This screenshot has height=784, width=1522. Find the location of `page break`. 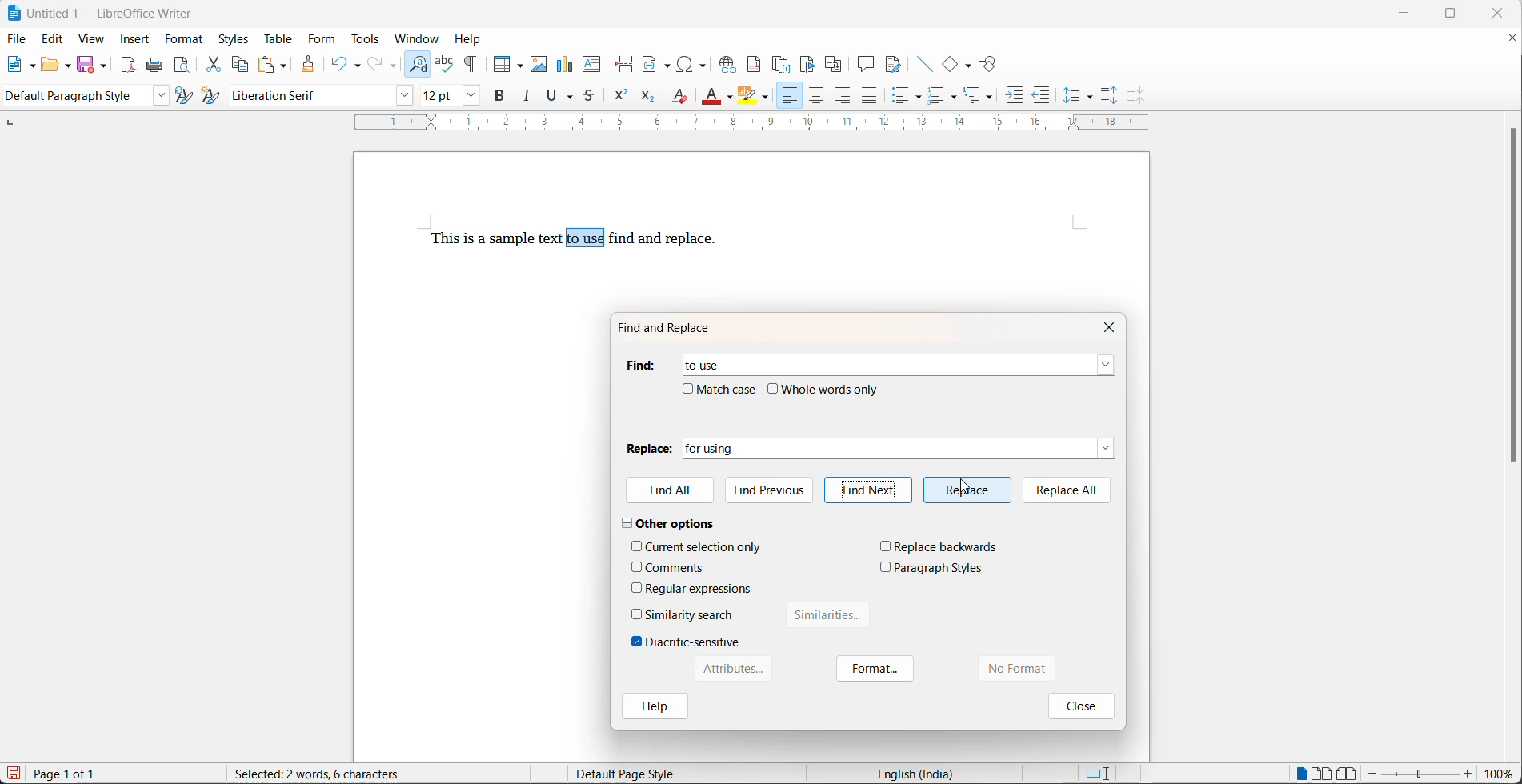

page break is located at coordinates (626, 64).